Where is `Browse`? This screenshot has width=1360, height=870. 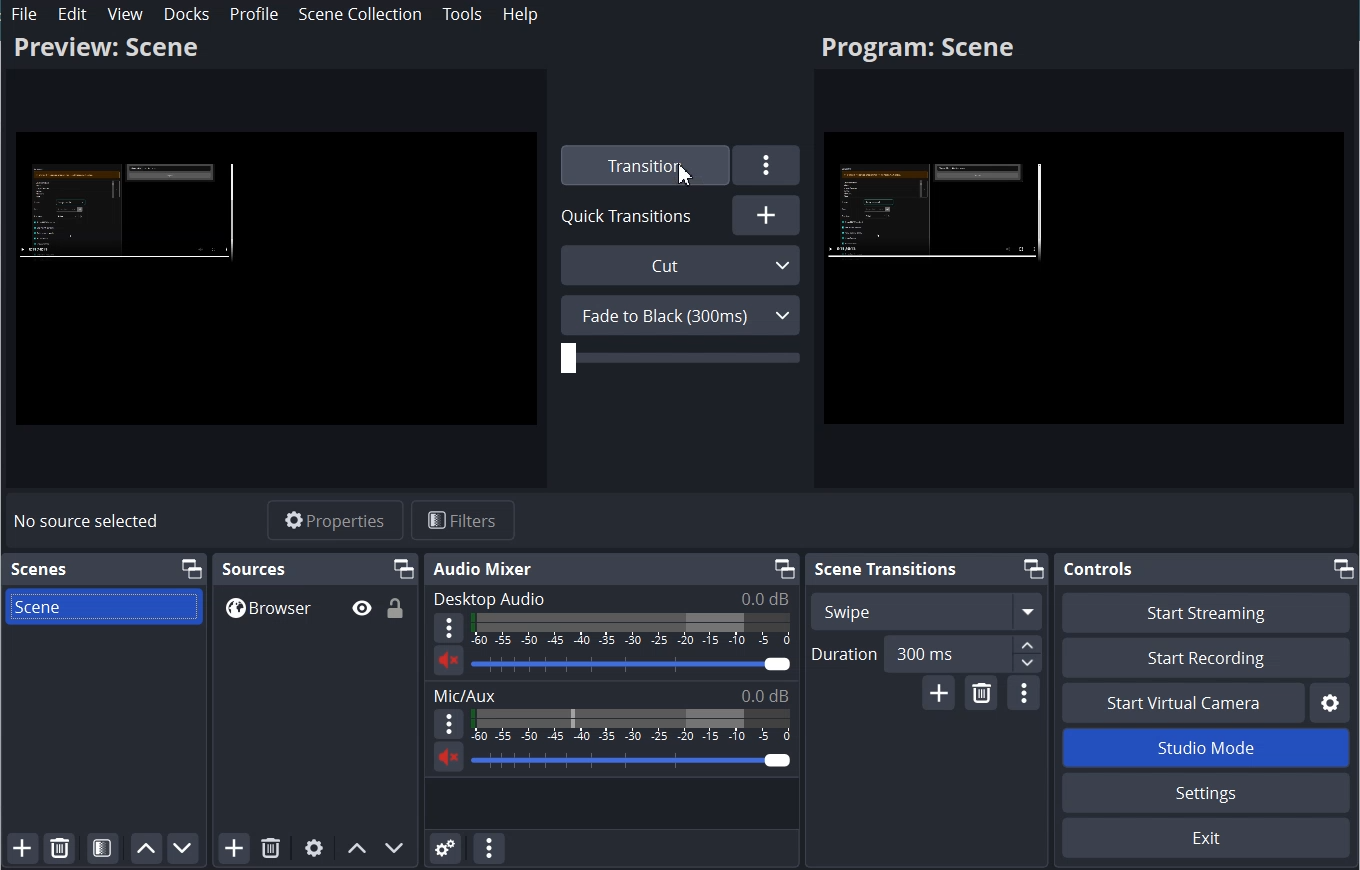 Browse is located at coordinates (315, 607).